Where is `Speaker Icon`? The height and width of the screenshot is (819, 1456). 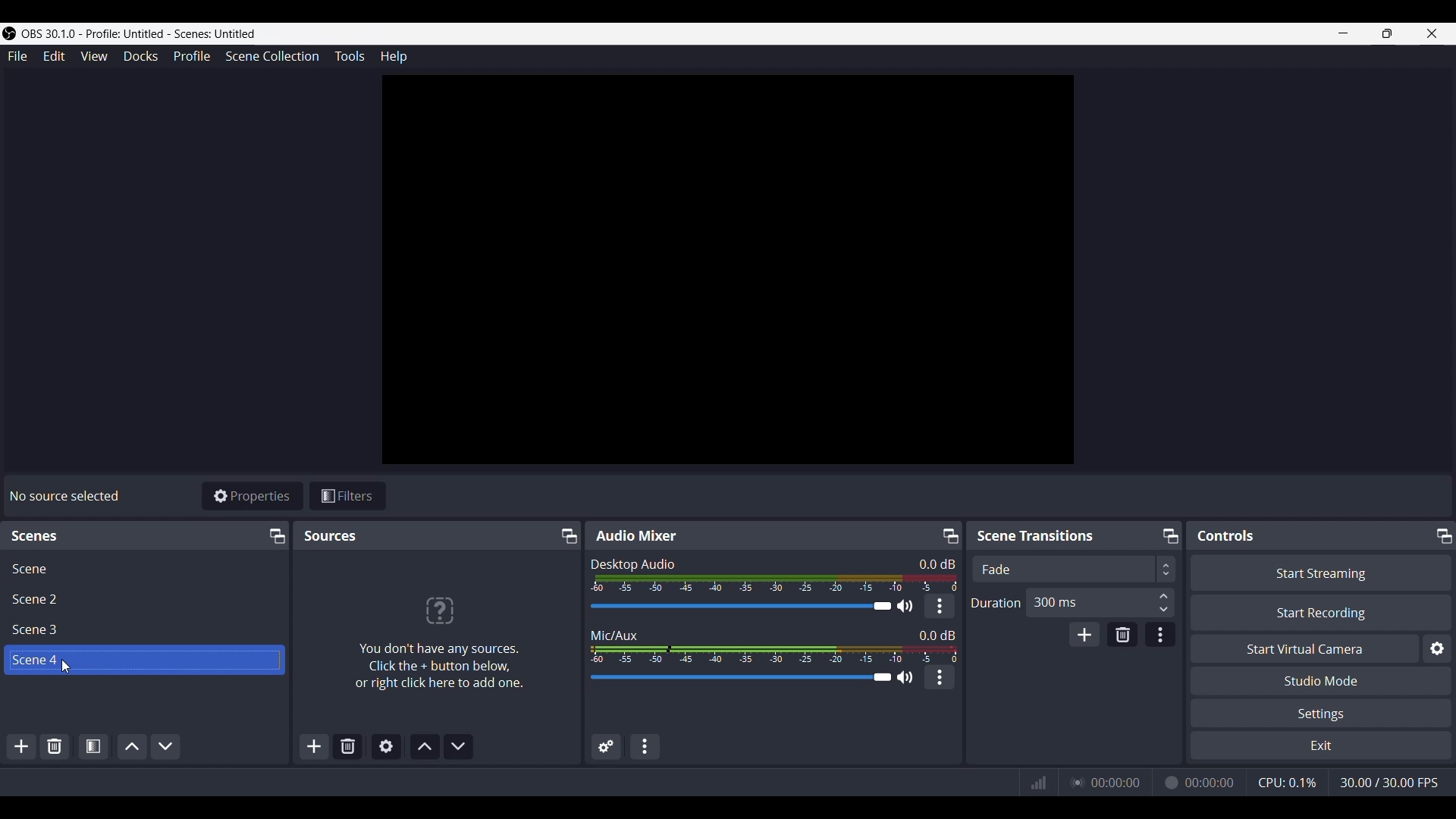
Speaker Icon is located at coordinates (905, 676).